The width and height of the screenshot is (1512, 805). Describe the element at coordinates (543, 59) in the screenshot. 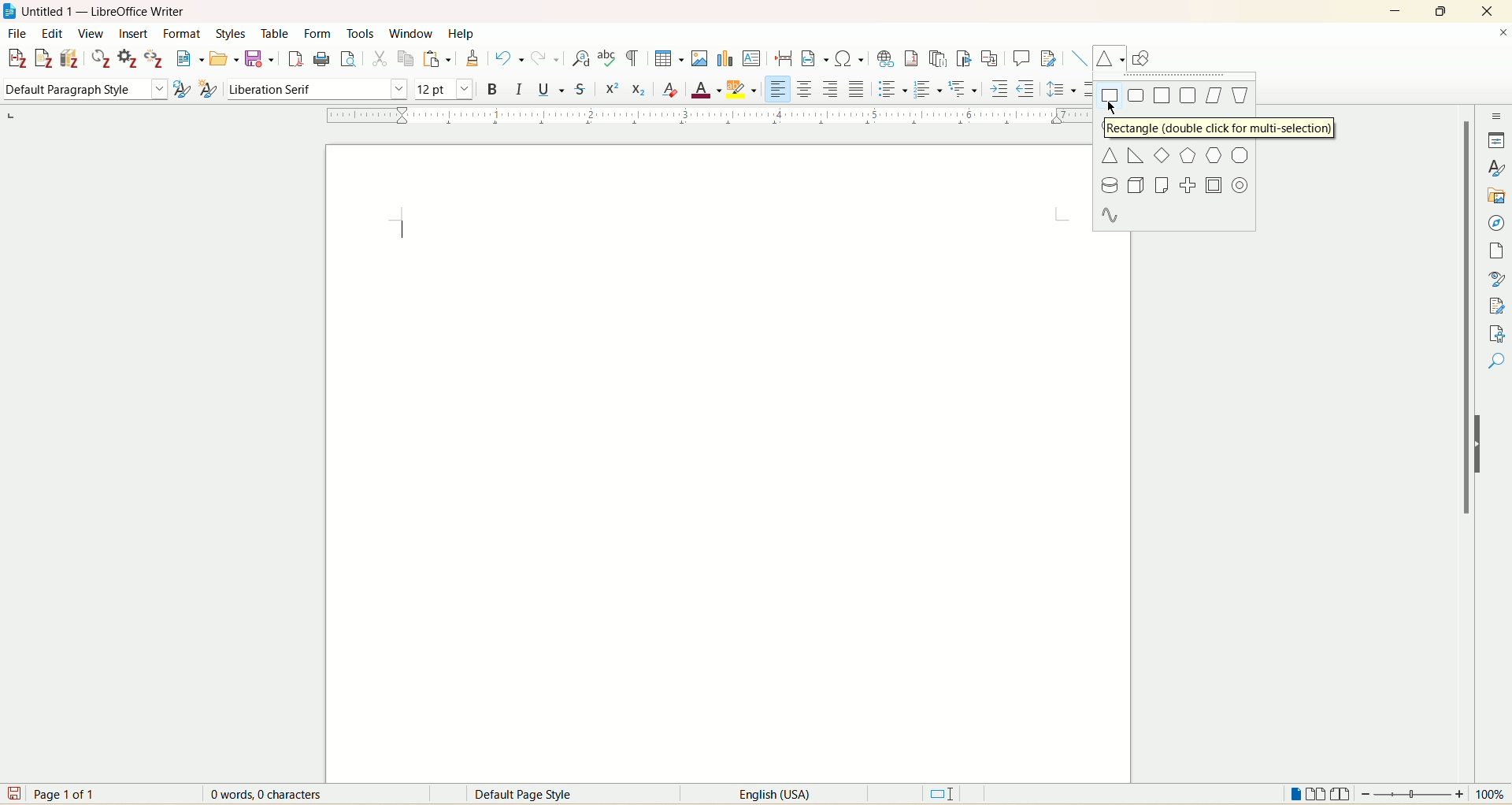

I see `redo` at that location.